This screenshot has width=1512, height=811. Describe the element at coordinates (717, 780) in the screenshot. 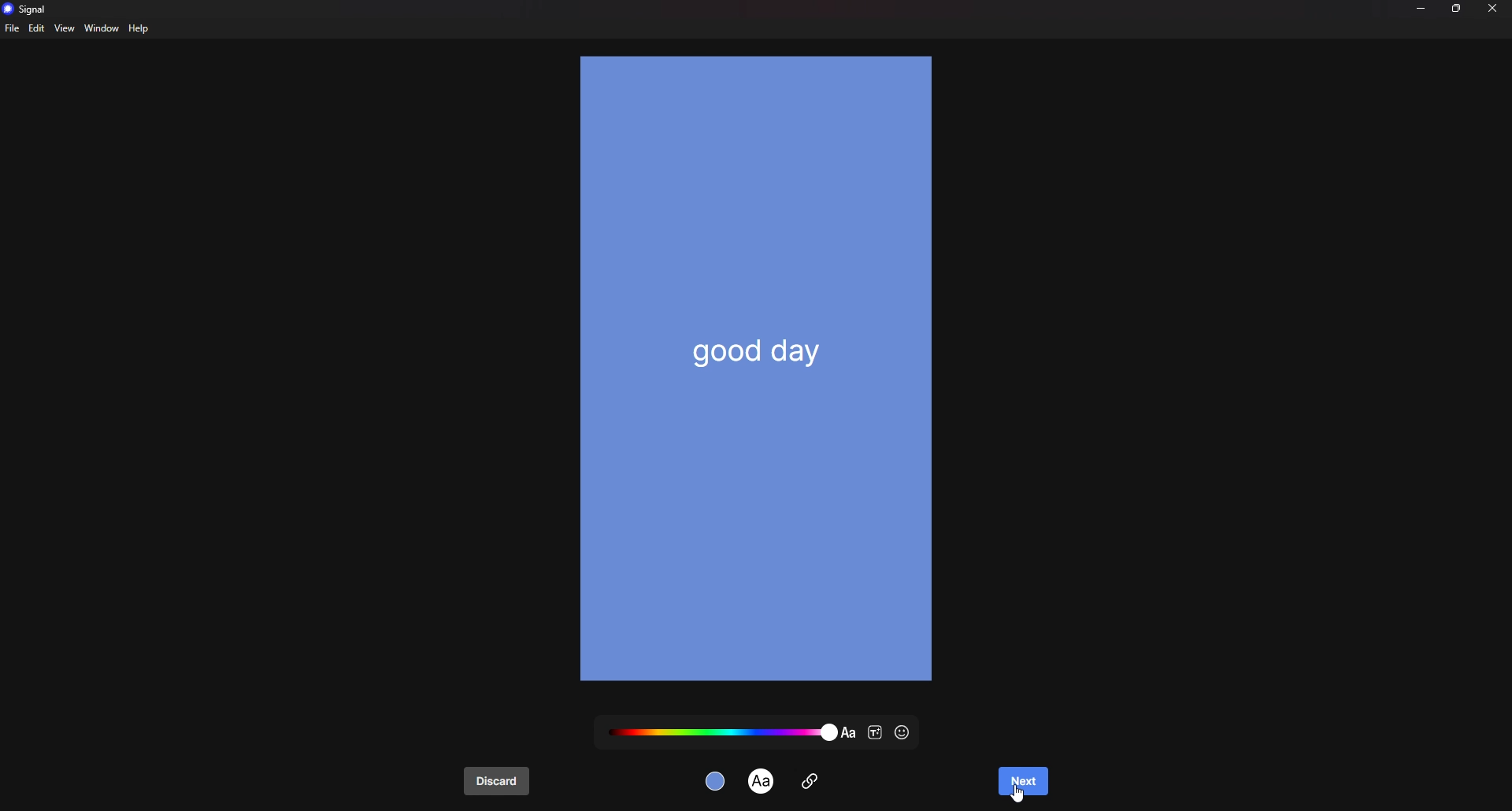

I see `background color` at that location.